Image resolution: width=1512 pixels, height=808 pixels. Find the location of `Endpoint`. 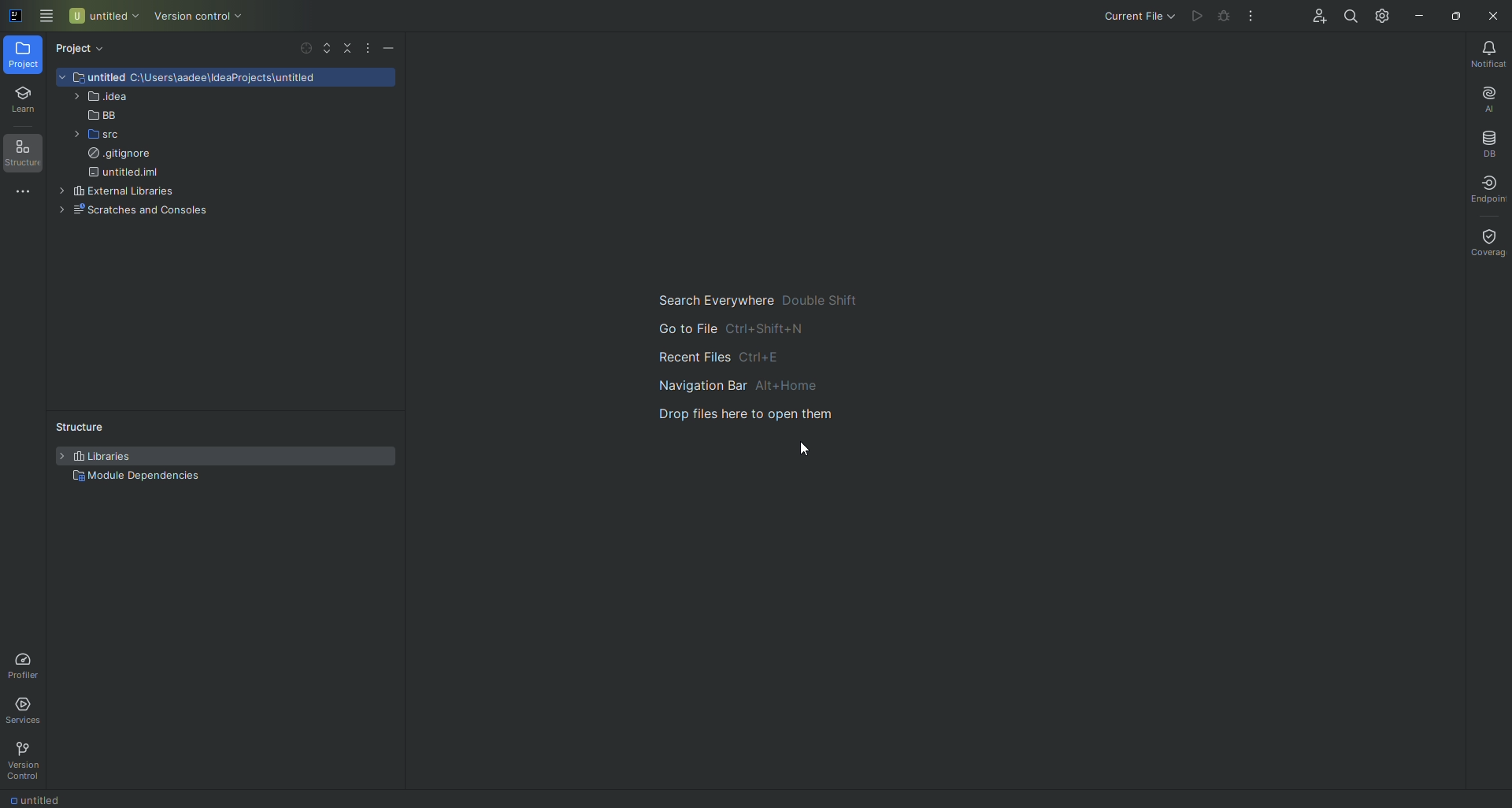

Endpoint is located at coordinates (1488, 190).